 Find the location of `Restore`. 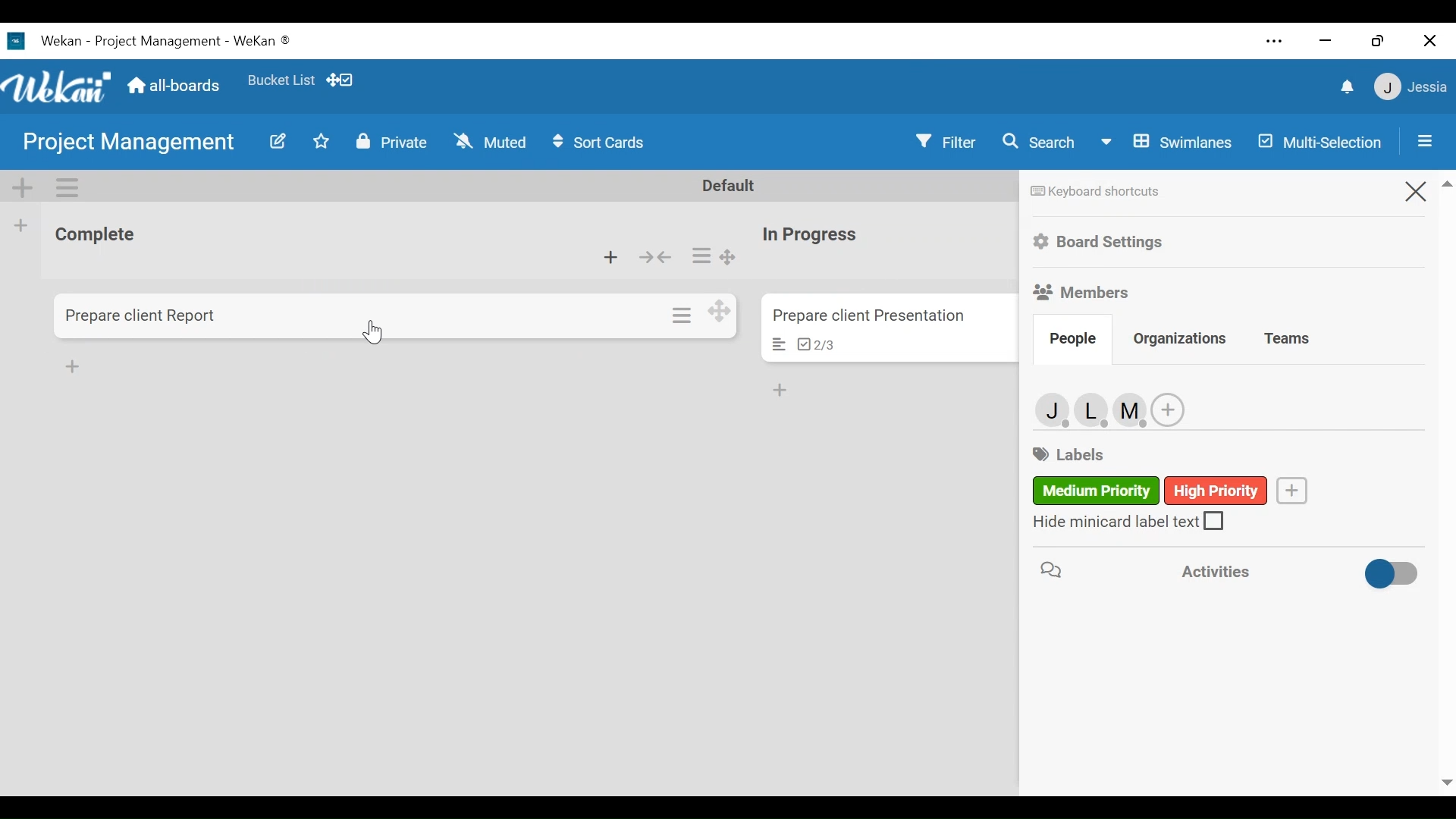

Restore is located at coordinates (1375, 41).